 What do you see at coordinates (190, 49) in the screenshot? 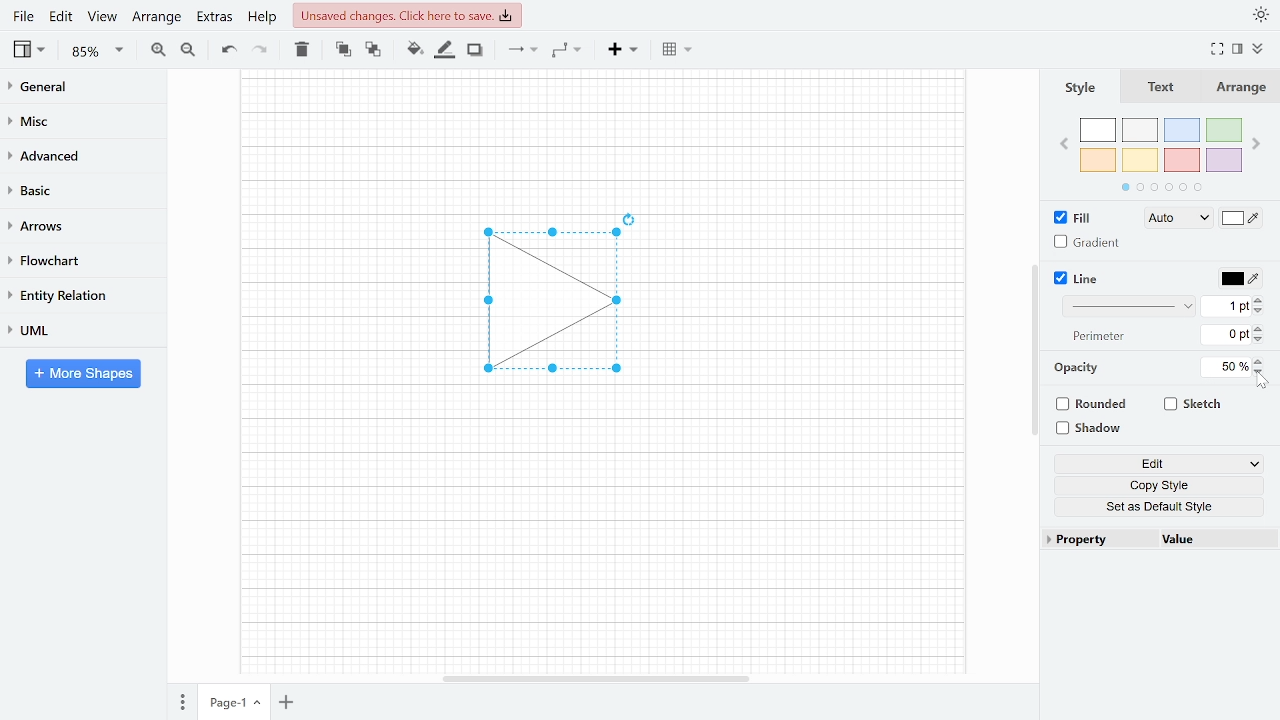
I see `Zoom out` at bounding box center [190, 49].